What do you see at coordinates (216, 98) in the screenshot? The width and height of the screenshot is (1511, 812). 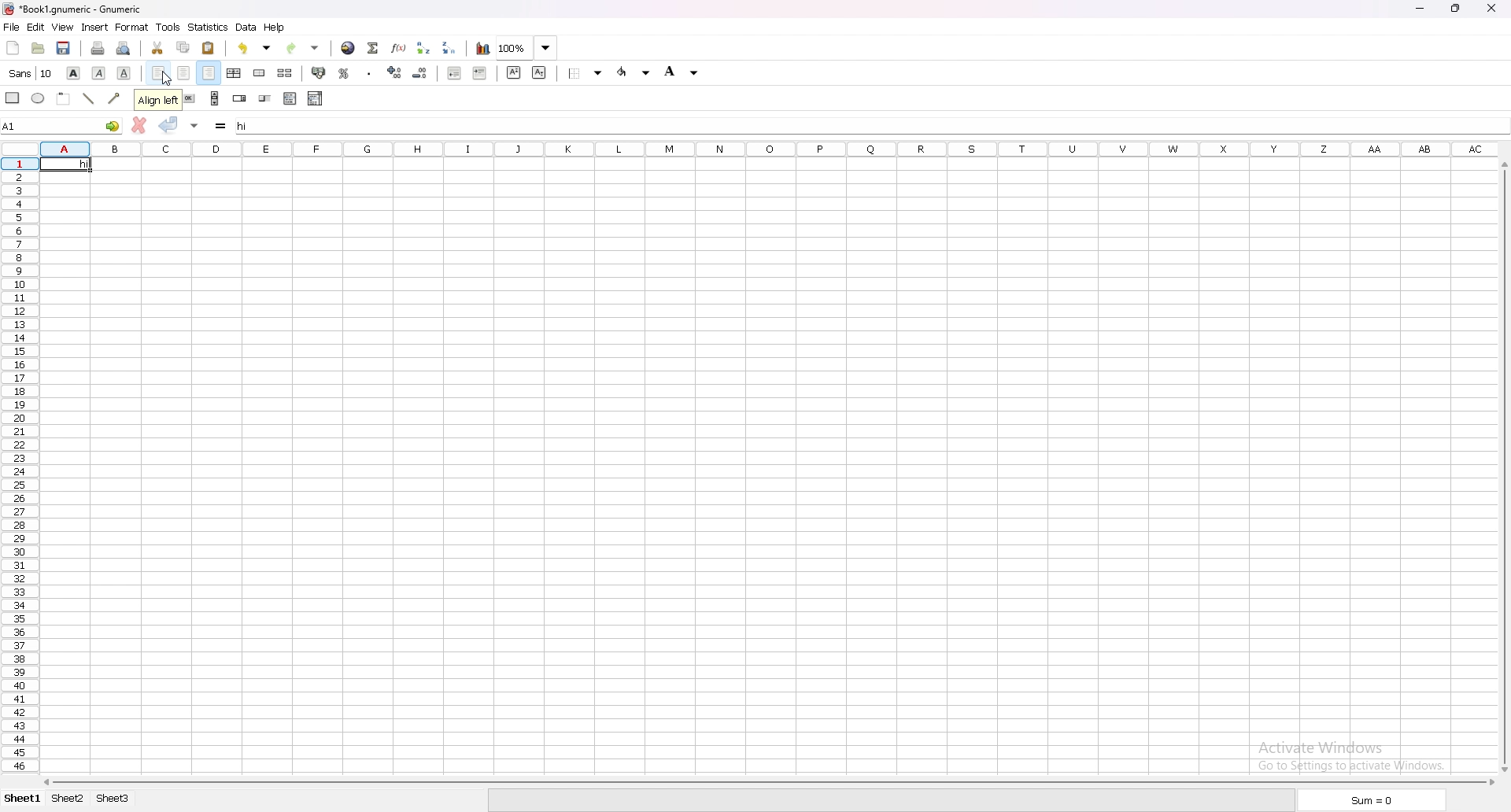 I see `scroll bar` at bounding box center [216, 98].